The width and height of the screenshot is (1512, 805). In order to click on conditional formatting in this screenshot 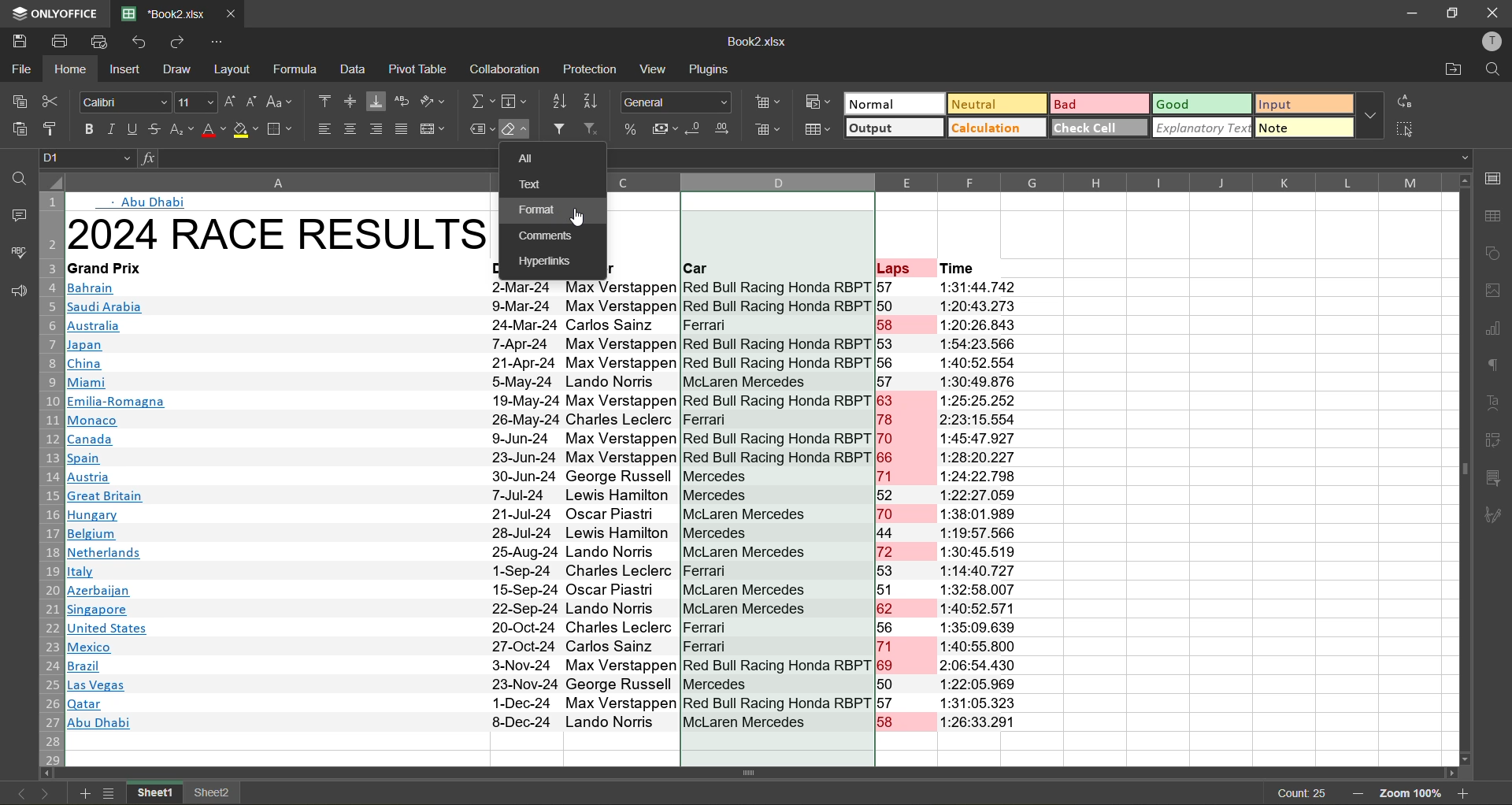, I will do `click(819, 102)`.